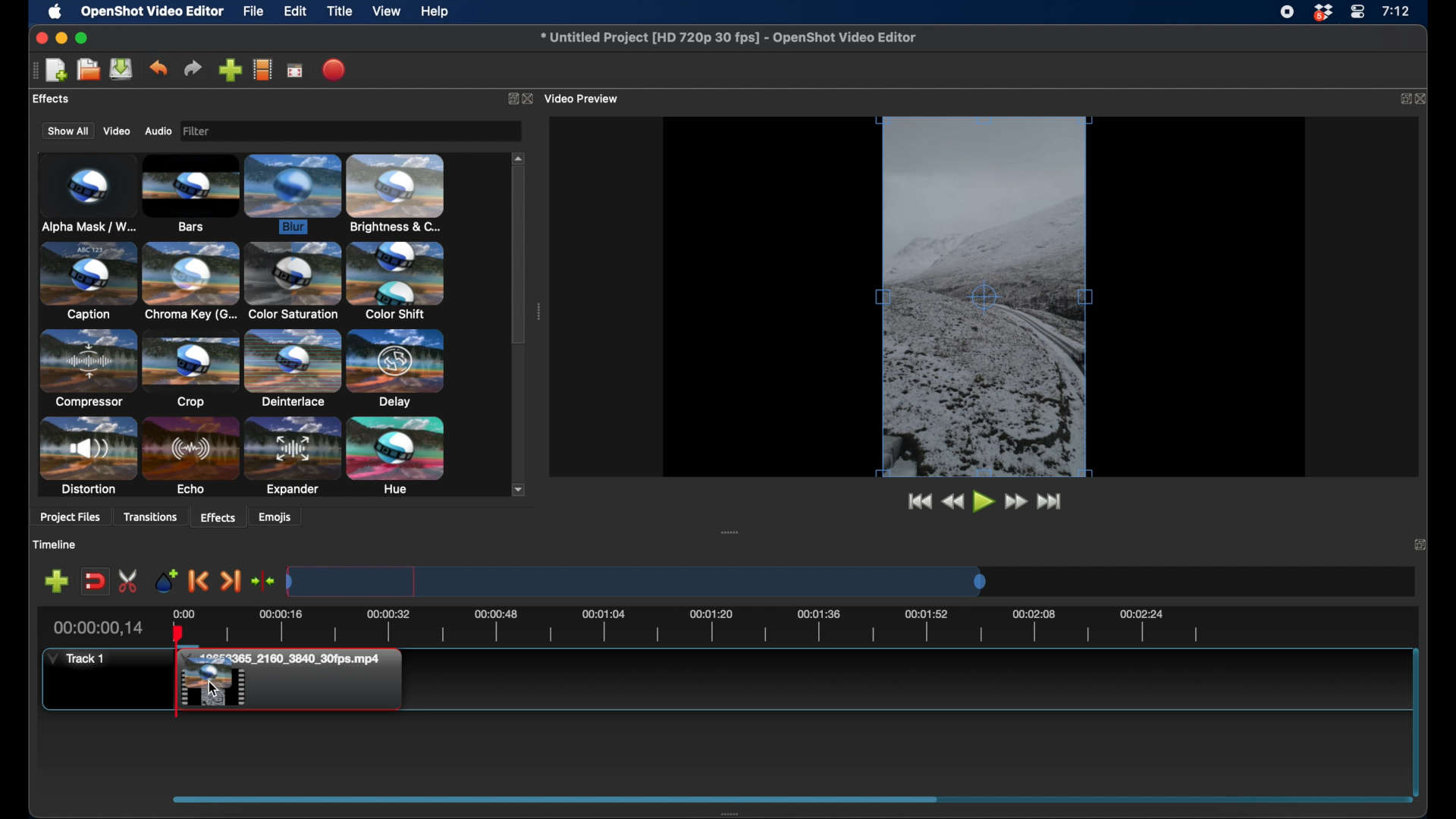 This screenshot has width=1456, height=819. Describe the element at coordinates (263, 69) in the screenshot. I see `choose profile` at that location.